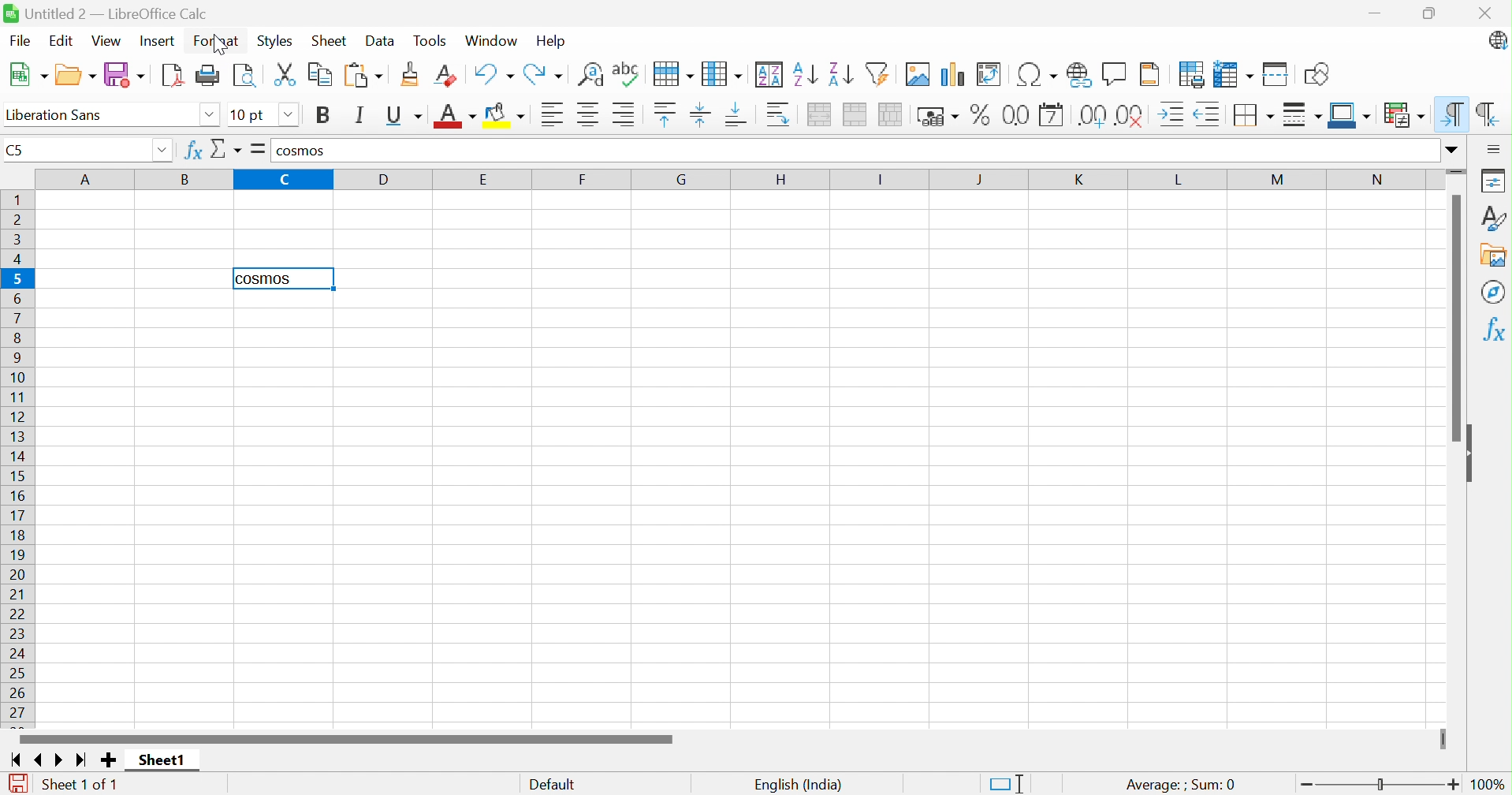 Image resolution: width=1512 pixels, height=795 pixels. I want to click on Decrease indent, so click(1210, 114).